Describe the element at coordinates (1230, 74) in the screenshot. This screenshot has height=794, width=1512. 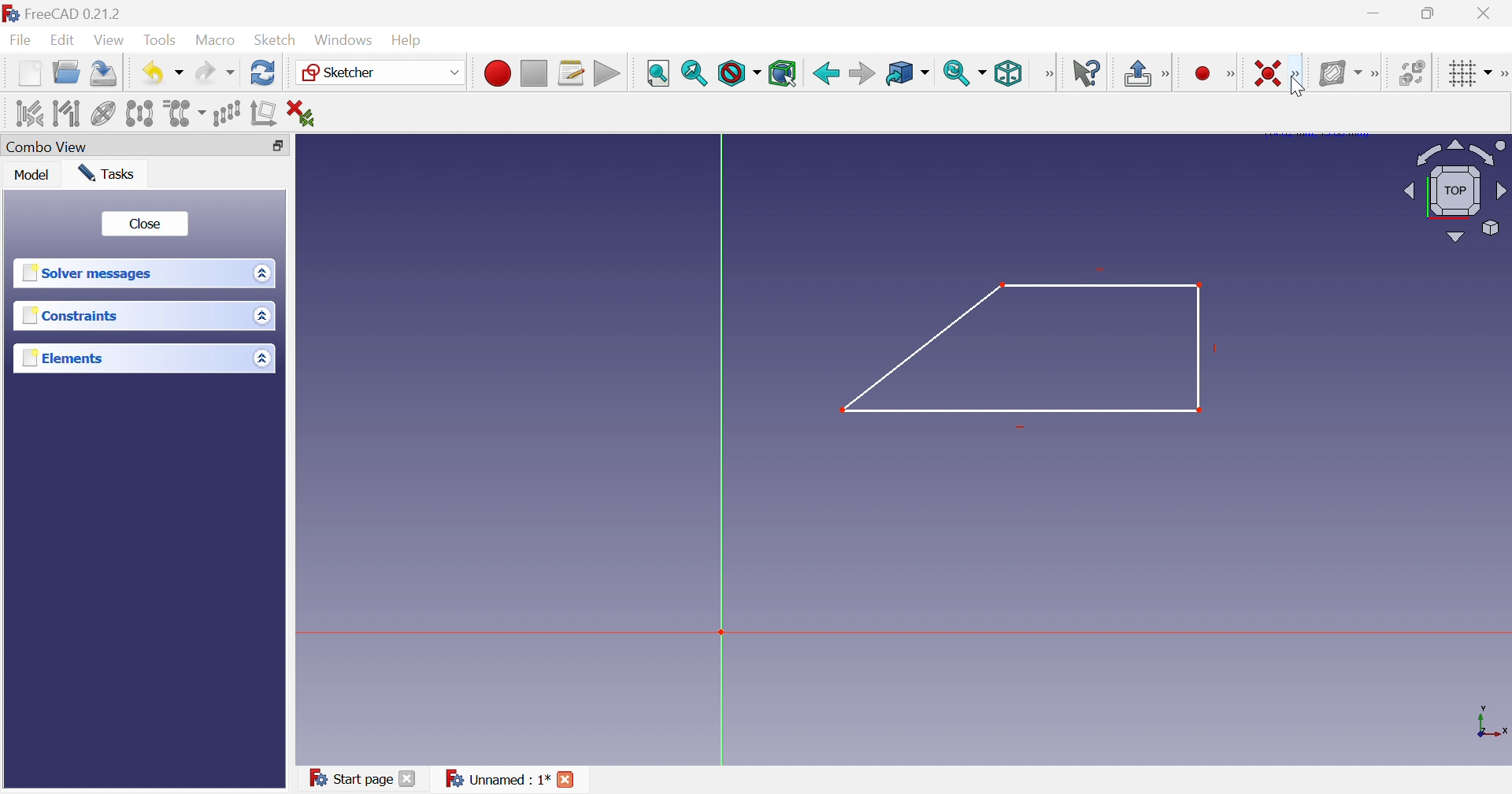
I see `More` at that location.